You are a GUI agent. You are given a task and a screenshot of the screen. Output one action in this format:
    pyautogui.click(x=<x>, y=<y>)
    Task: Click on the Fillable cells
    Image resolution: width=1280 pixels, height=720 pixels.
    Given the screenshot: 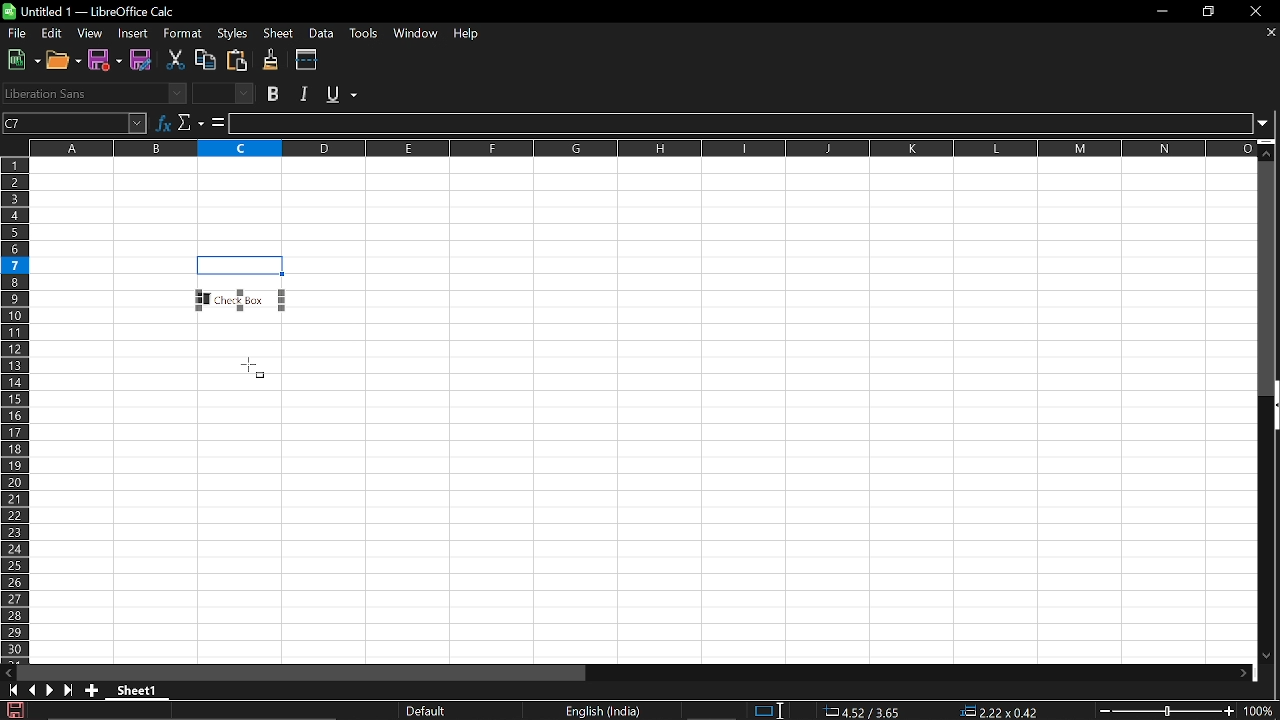 What is the action you would take?
    pyautogui.click(x=776, y=458)
    